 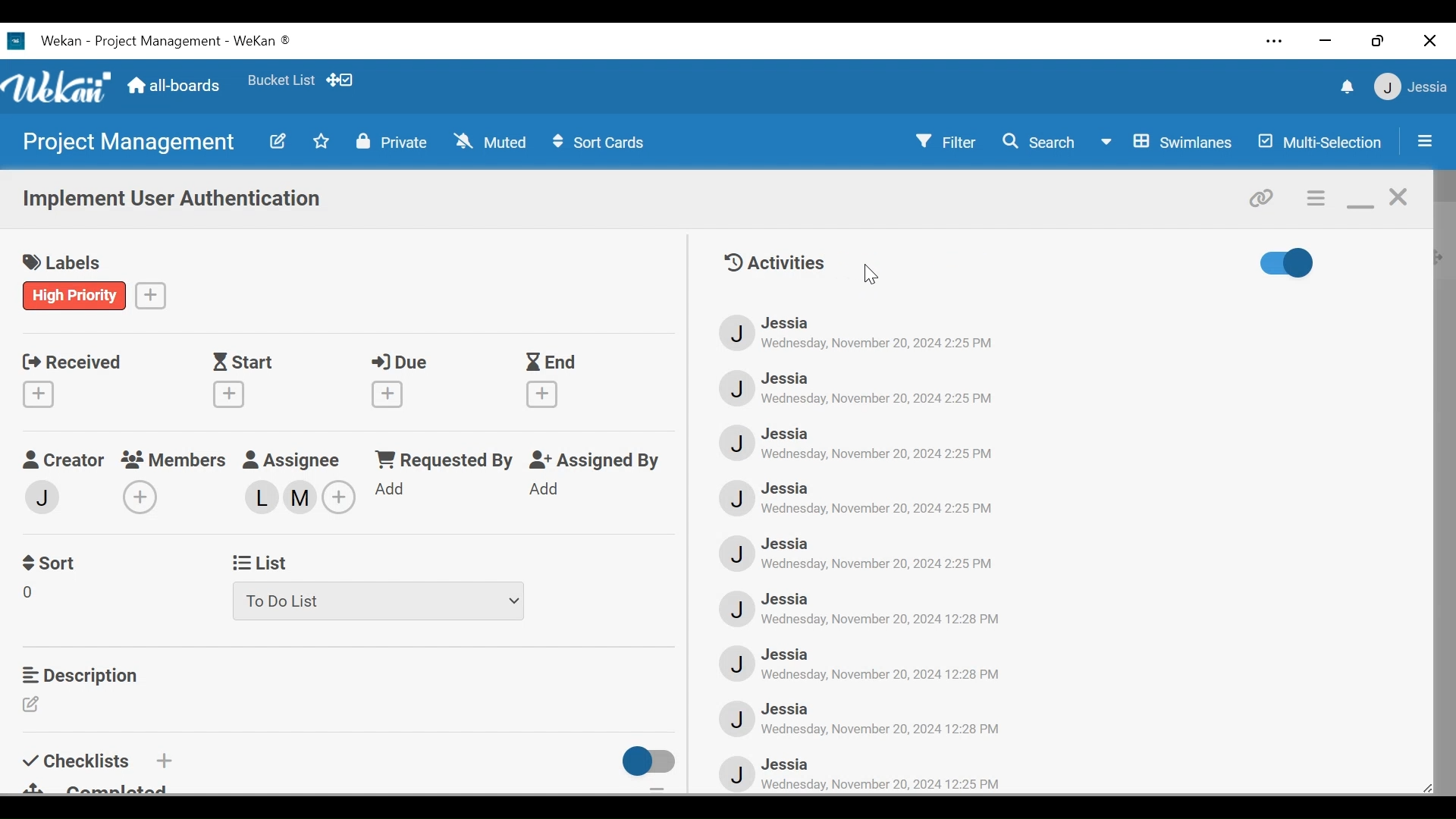 What do you see at coordinates (1041, 142) in the screenshot?
I see `Search` at bounding box center [1041, 142].